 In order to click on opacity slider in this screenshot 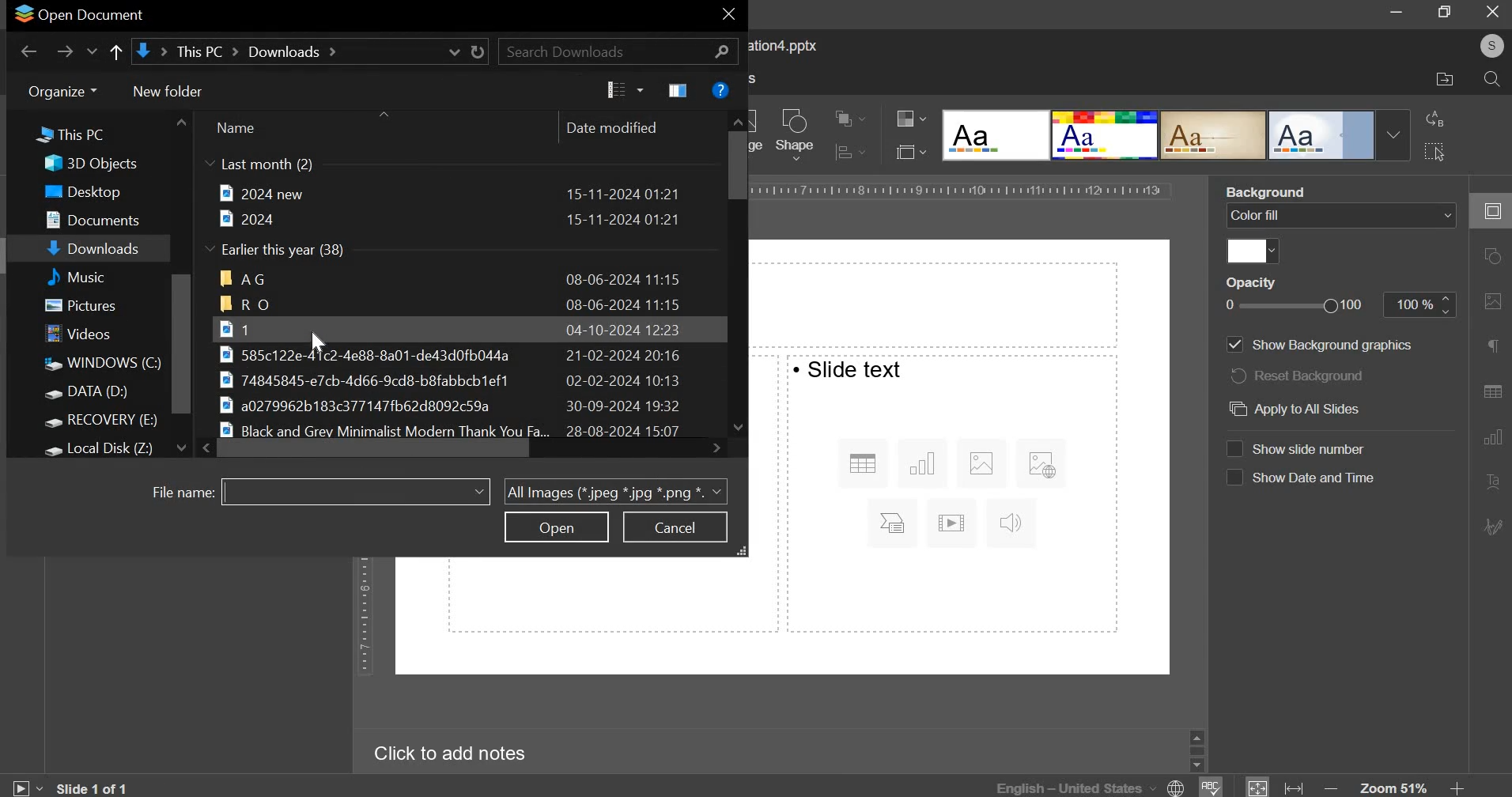, I will do `click(1297, 306)`.